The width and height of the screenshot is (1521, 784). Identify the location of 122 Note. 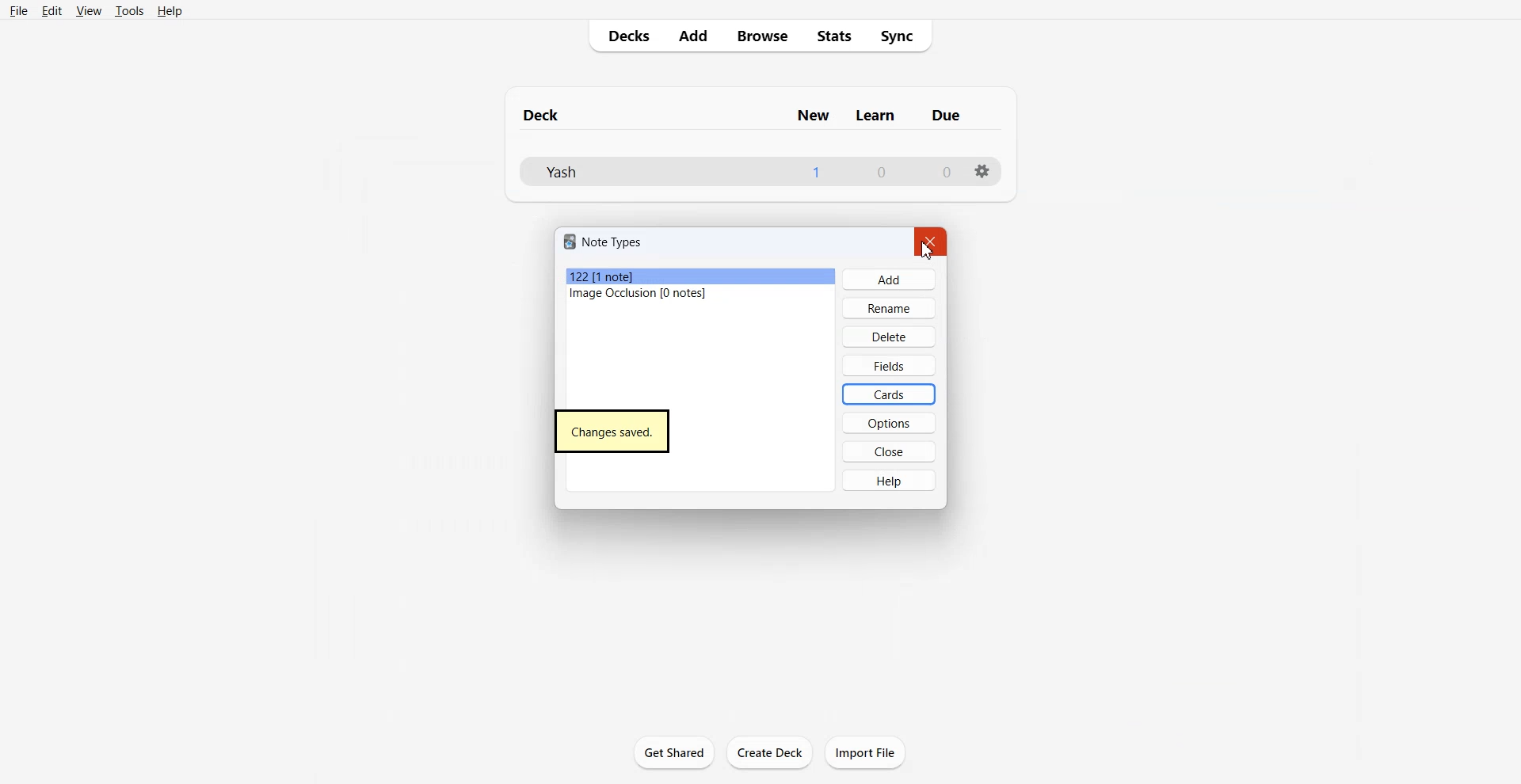
(700, 277).